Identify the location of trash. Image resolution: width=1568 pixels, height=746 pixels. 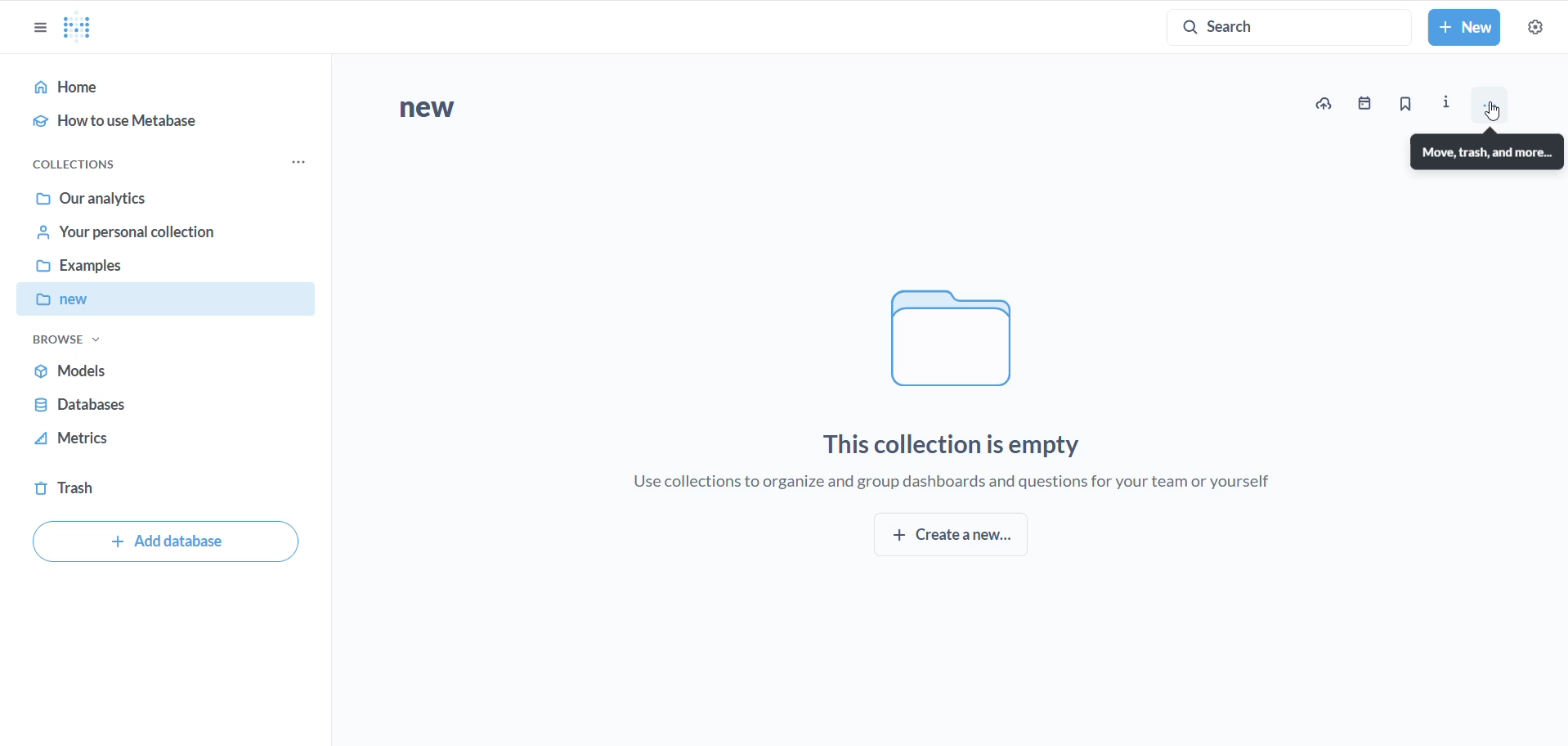
(80, 490).